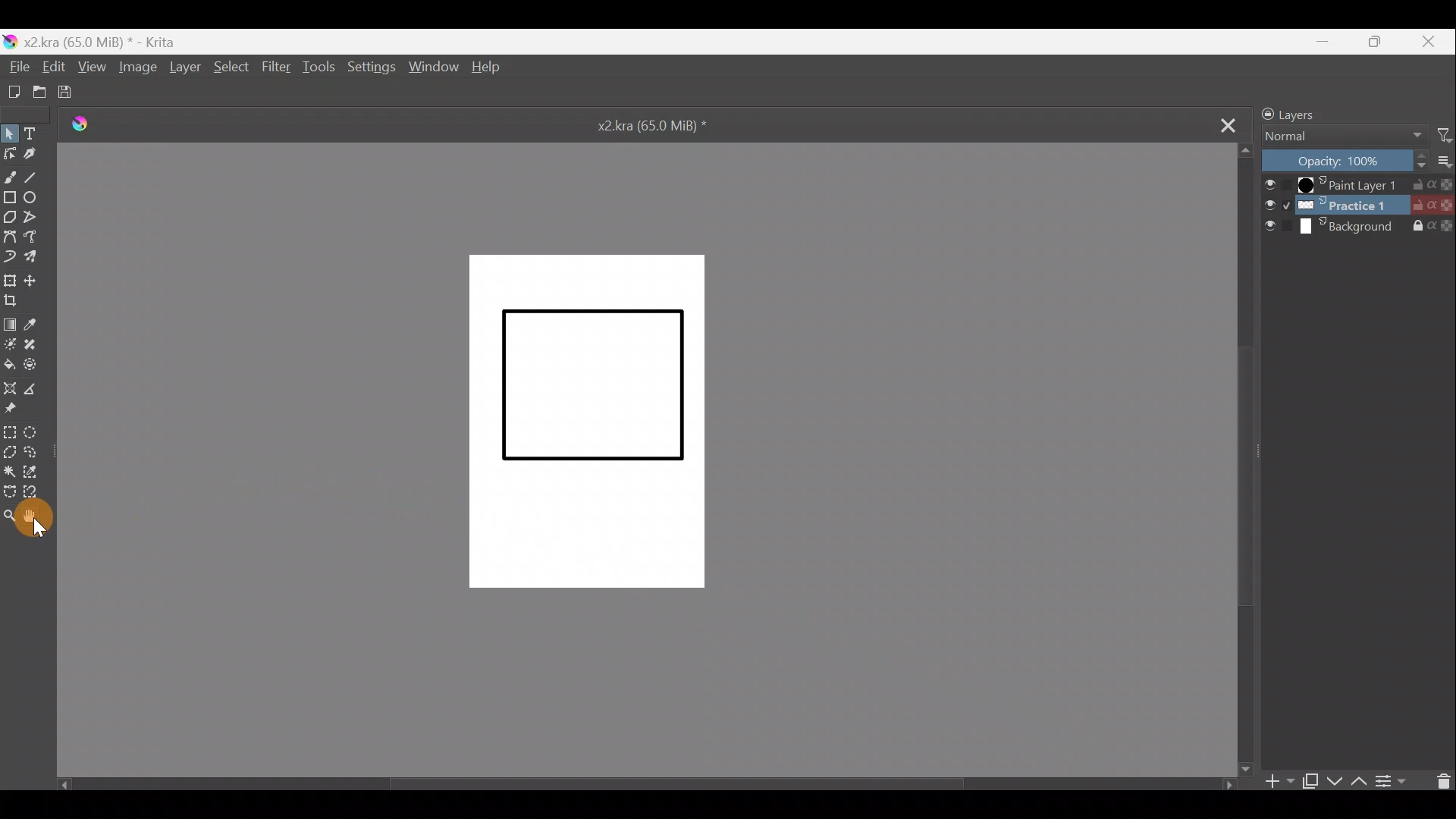 The height and width of the screenshot is (819, 1456). What do you see at coordinates (9, 254) in the screenshot?
I see `Dynamic brush tool` at bounding box center [9, 254].